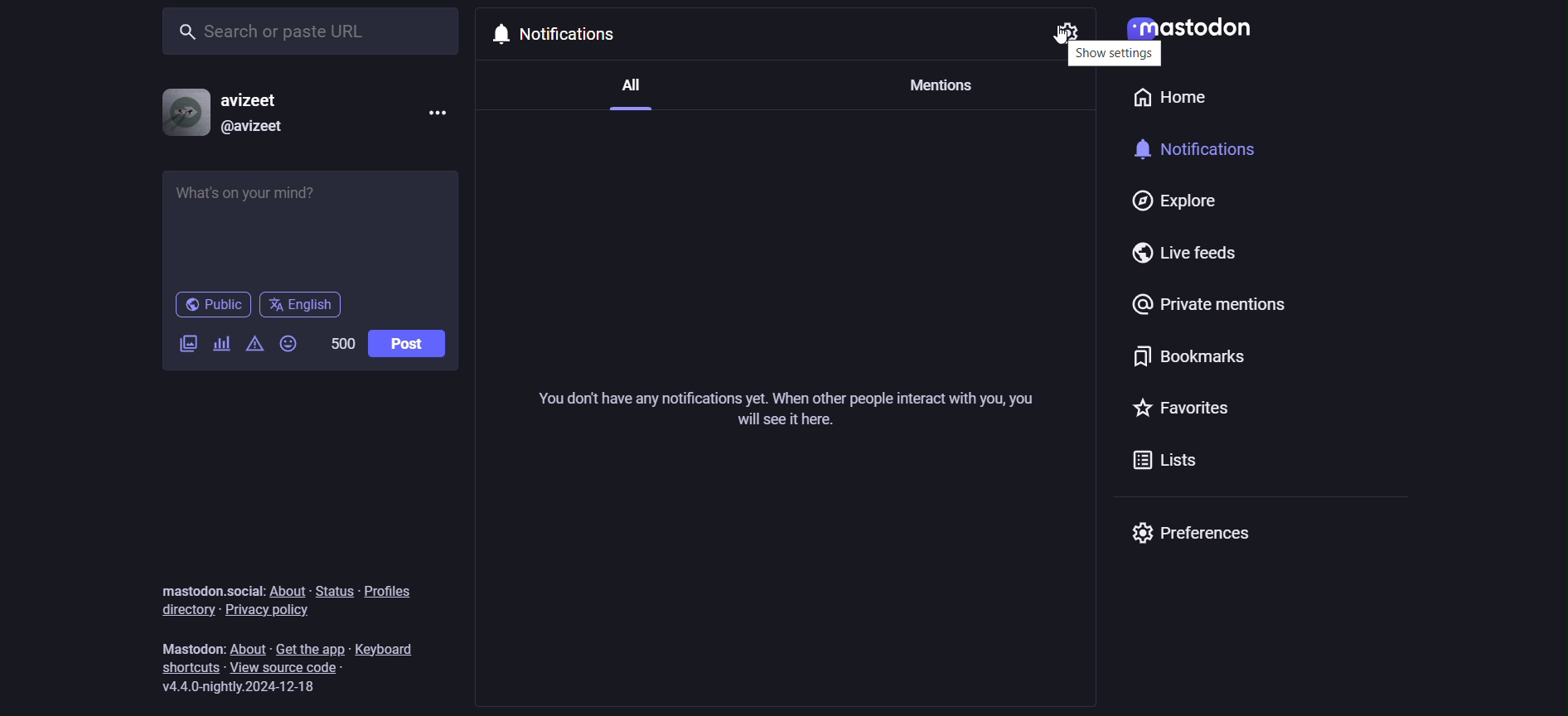  I want to click on word limit, so click(339, 342).